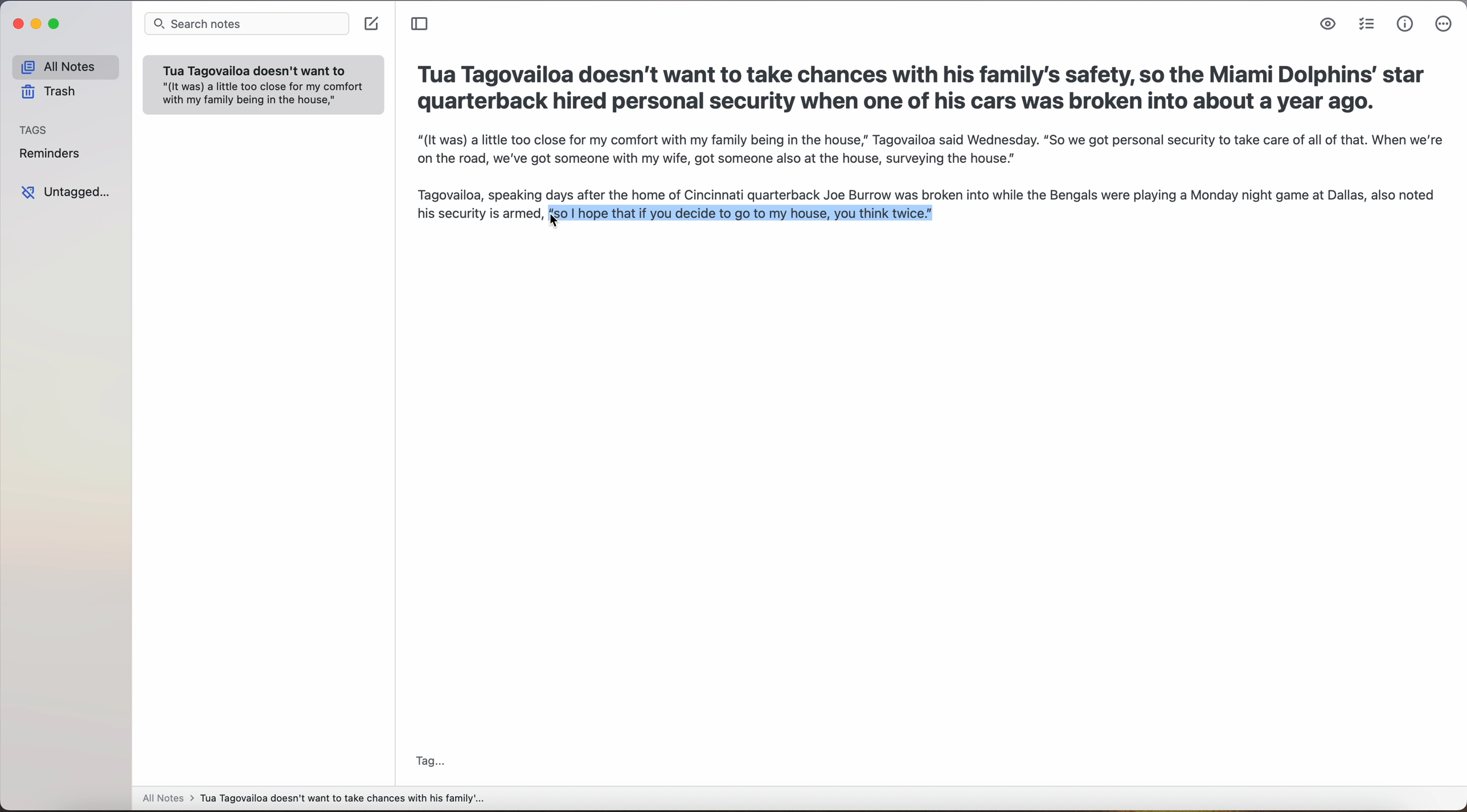 The width and height of the screenshot is (1467, 812). What do you see at coordinates (931, 178) in the screenshot?
I see `“(It was) a little too close for my comfort with my family being in the house,” Tagovailoa said Wednesday. “So we got personal security to take care of all of that. When we'reon the road, we've got someone with my wife, got someone also at the house, surveying the house.”Tagovailoa, speaking days after the home of Cincinnati quarterback Joe Burrow was broken into while the Bengals were playing a Monday night game at Dallas, also notedhis security is armed, so hope that if you decide to go to my house, you think twice."` at bounding box center [931, 178].